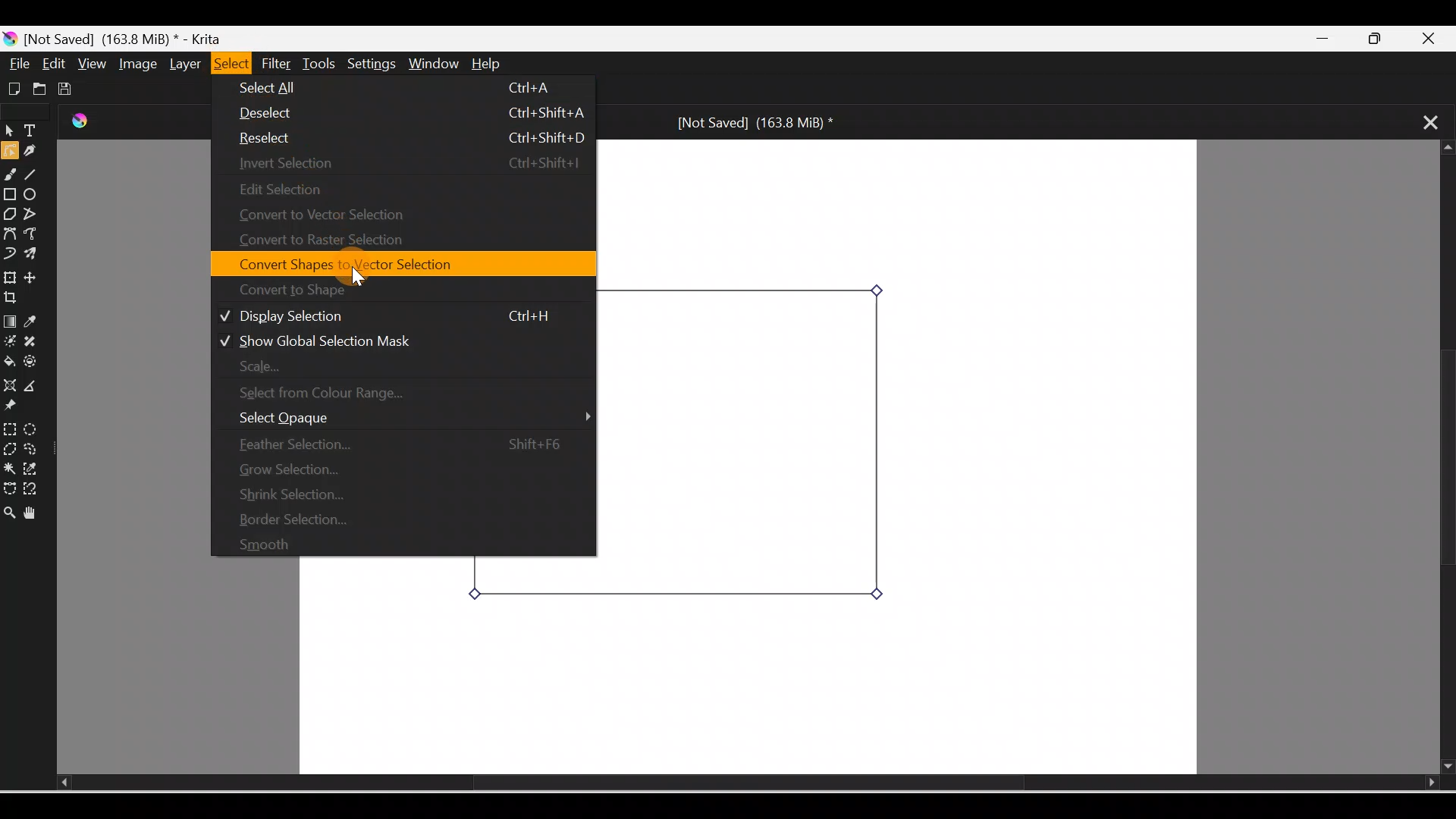 This screenshot has height=819, width=1456. I want to click on Grow selection, so click(403, 465).